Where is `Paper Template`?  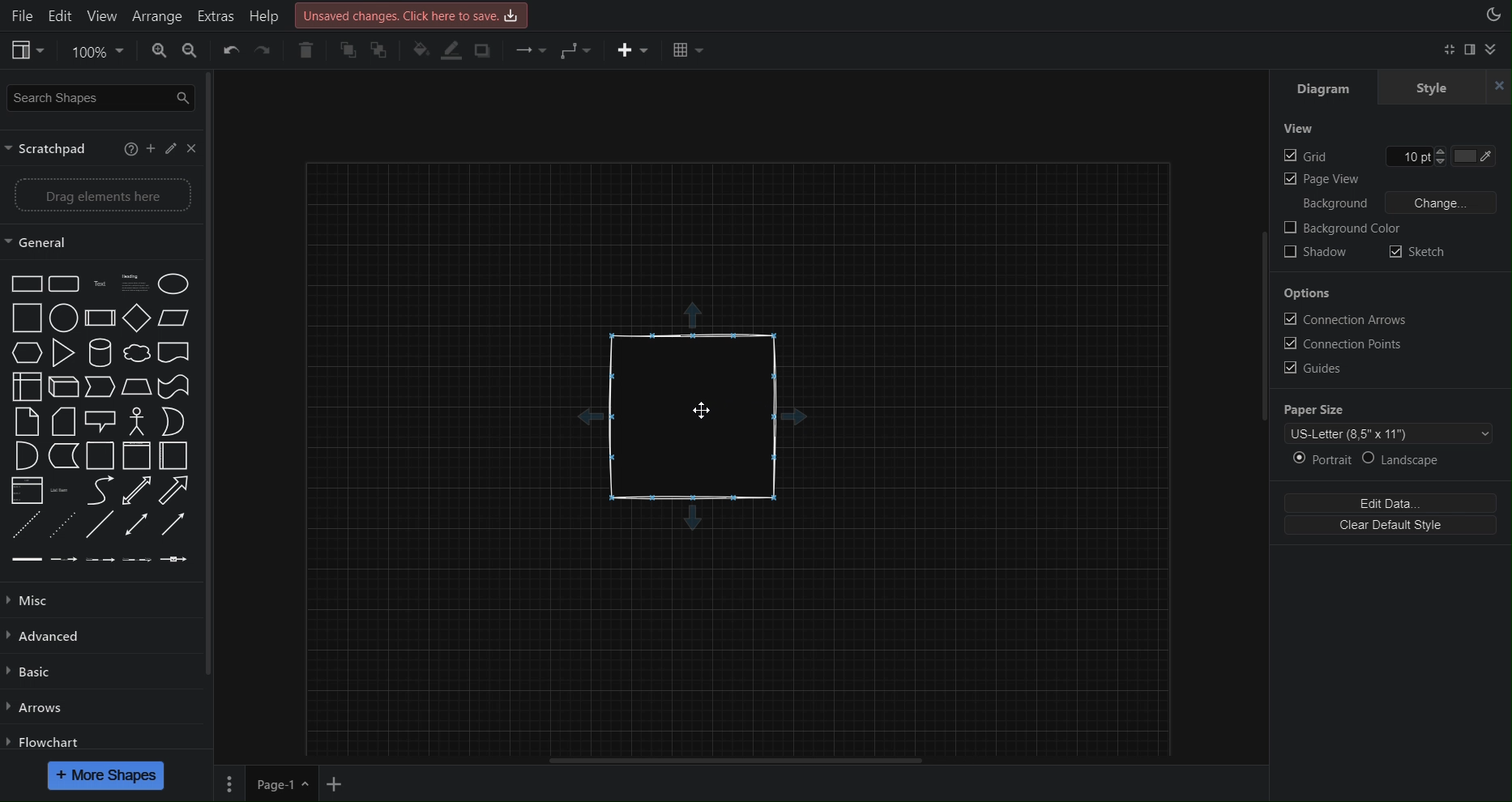 Paper Template is located at coordinates (1389, 434).